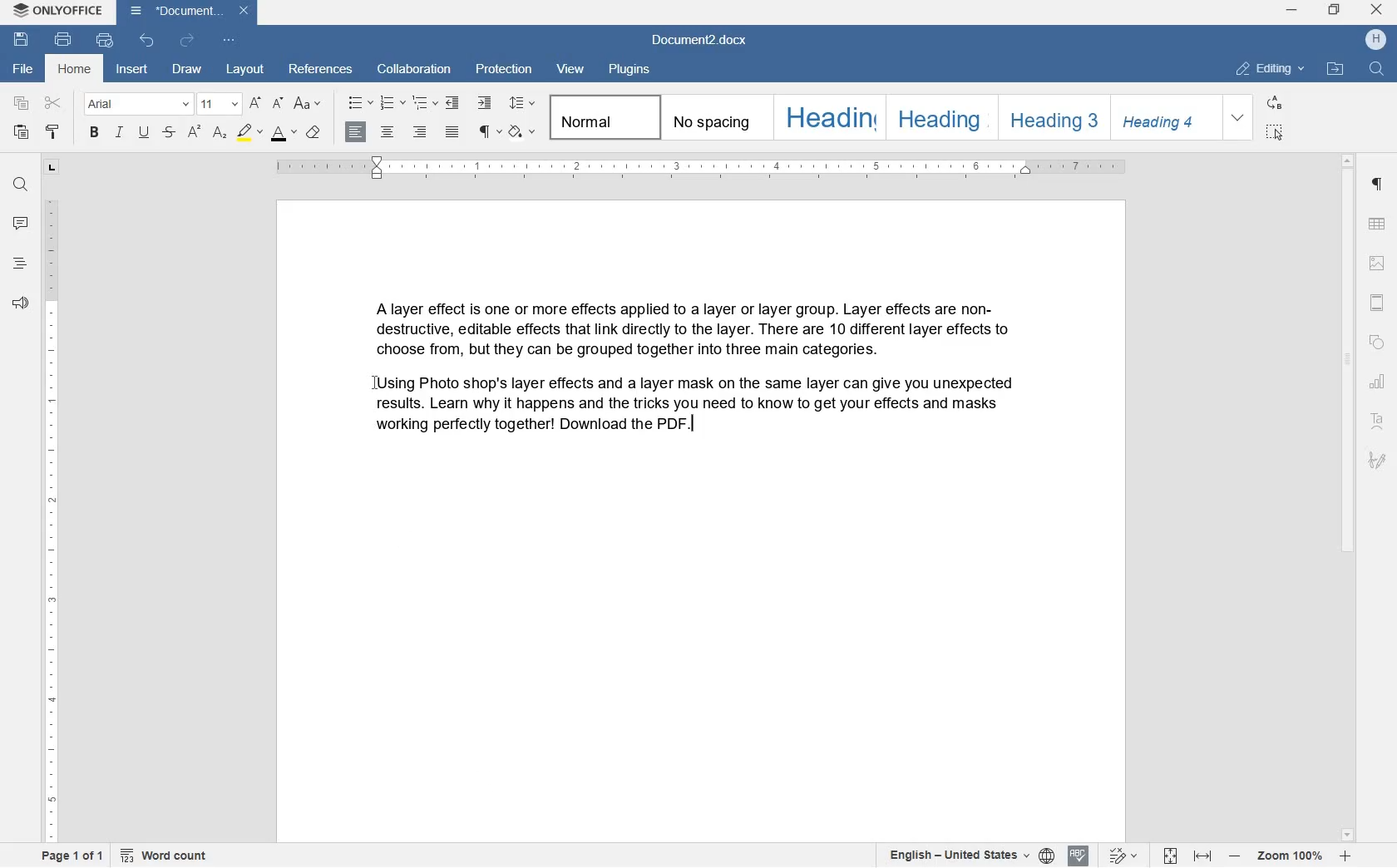 The width and height of the screenshot is (1397, 868). Describe the element at coordinates (77, 71) in the screenshot. I see `HOME` at that location.